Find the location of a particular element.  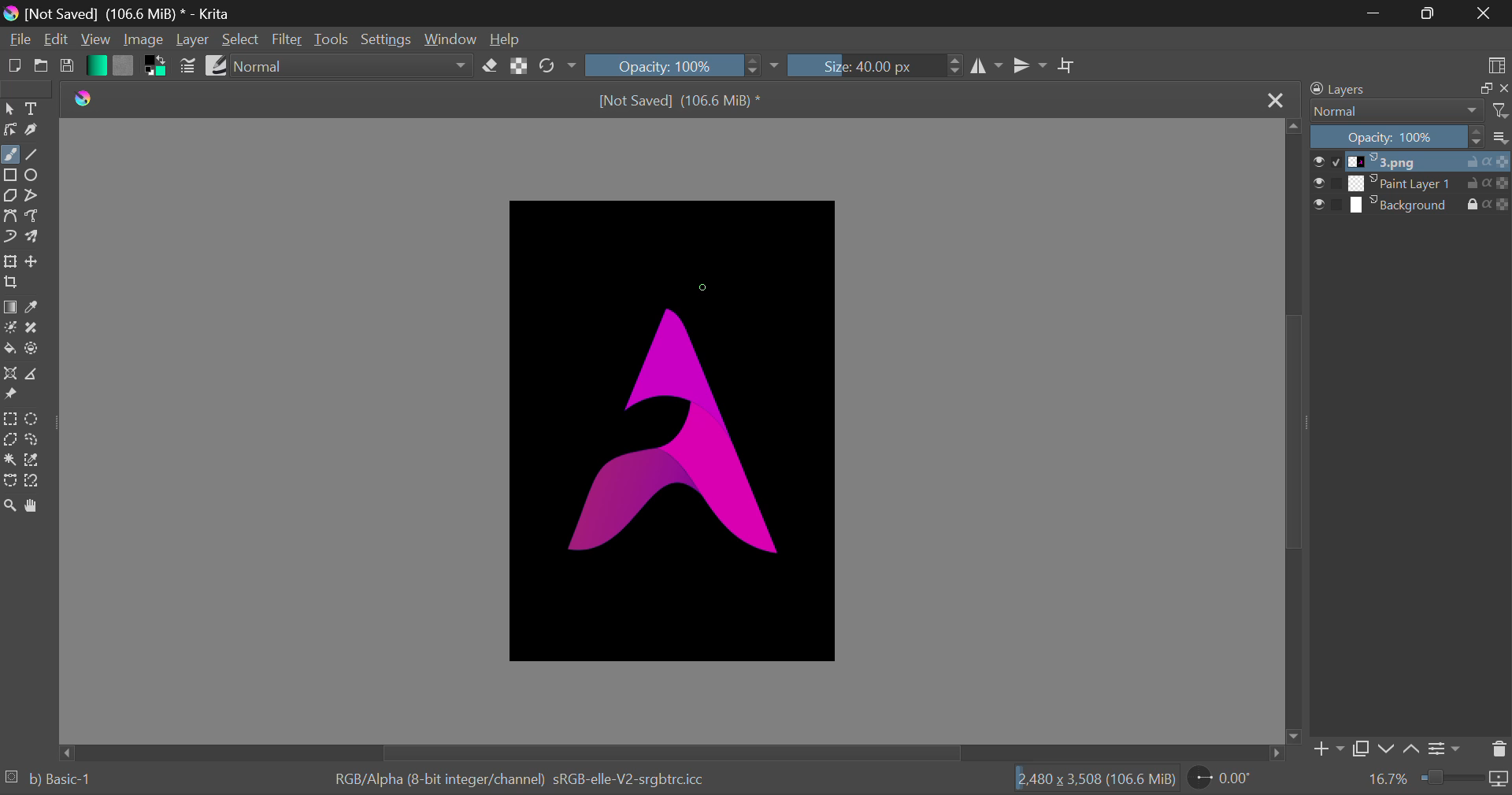

Choose Workspace is located at coordinates (1498, 64).